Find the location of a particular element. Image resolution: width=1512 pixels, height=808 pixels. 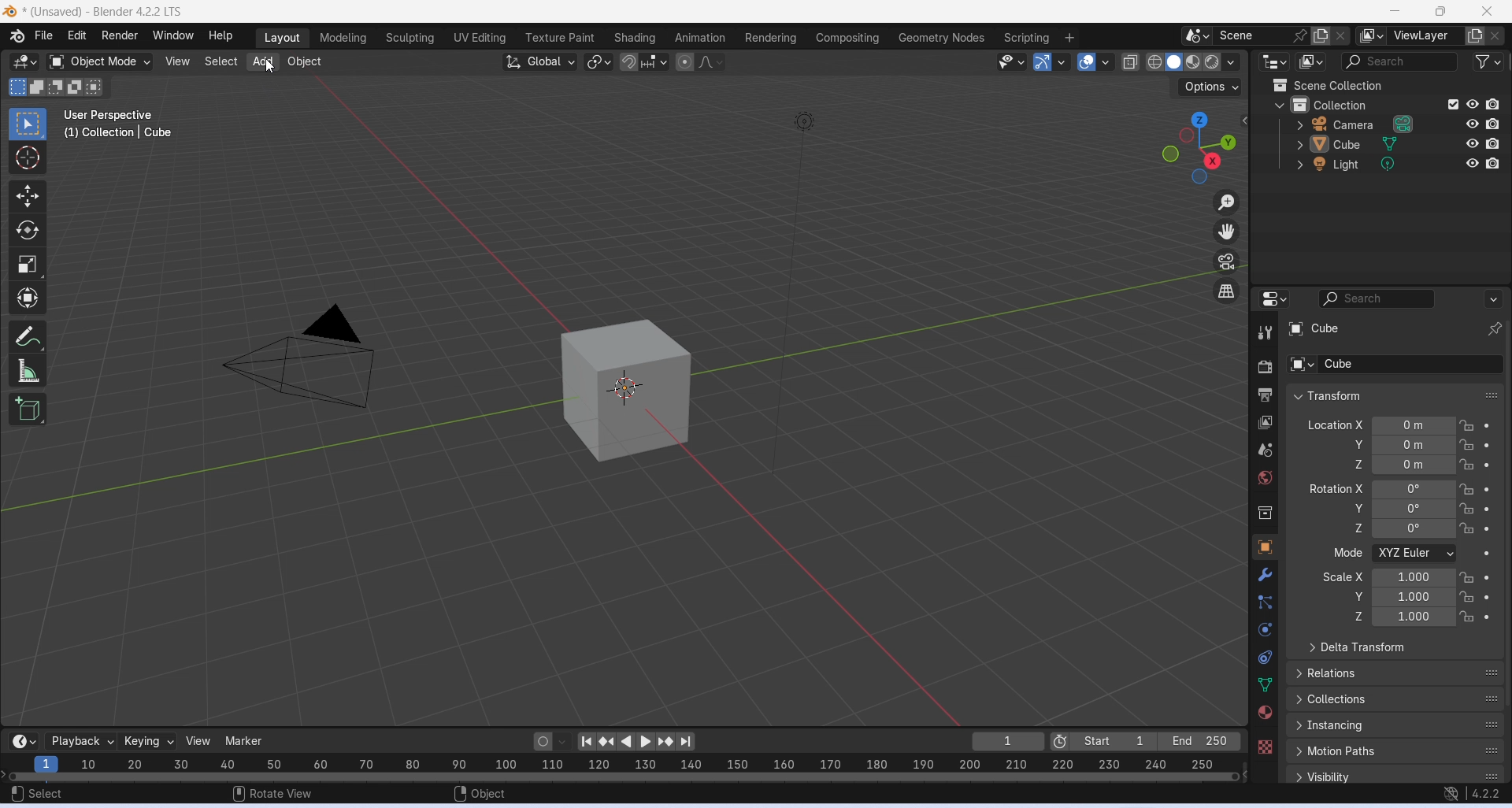

motion paths is located at coordinates (1396, 751).